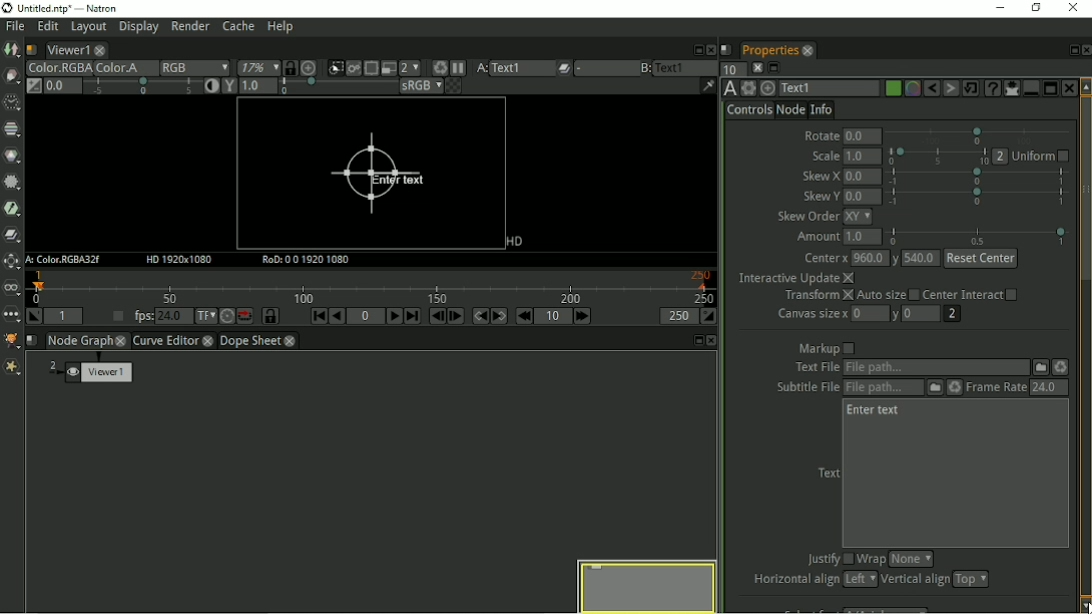 The width and height of the screenshot is (1092, 614). Describe the element at coordinates (47, 28) in the screenshot. I see `Edit` at that location.